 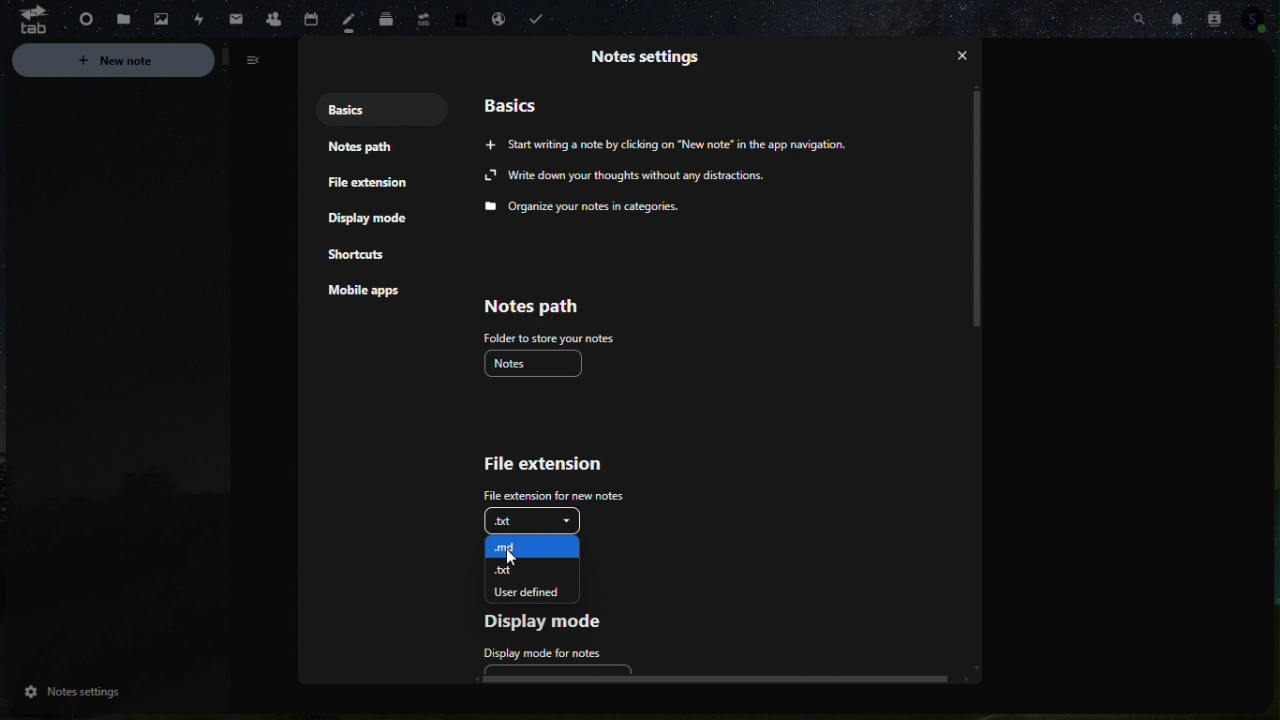 I want to click on display mode for notes, so click(x=547, y=658).